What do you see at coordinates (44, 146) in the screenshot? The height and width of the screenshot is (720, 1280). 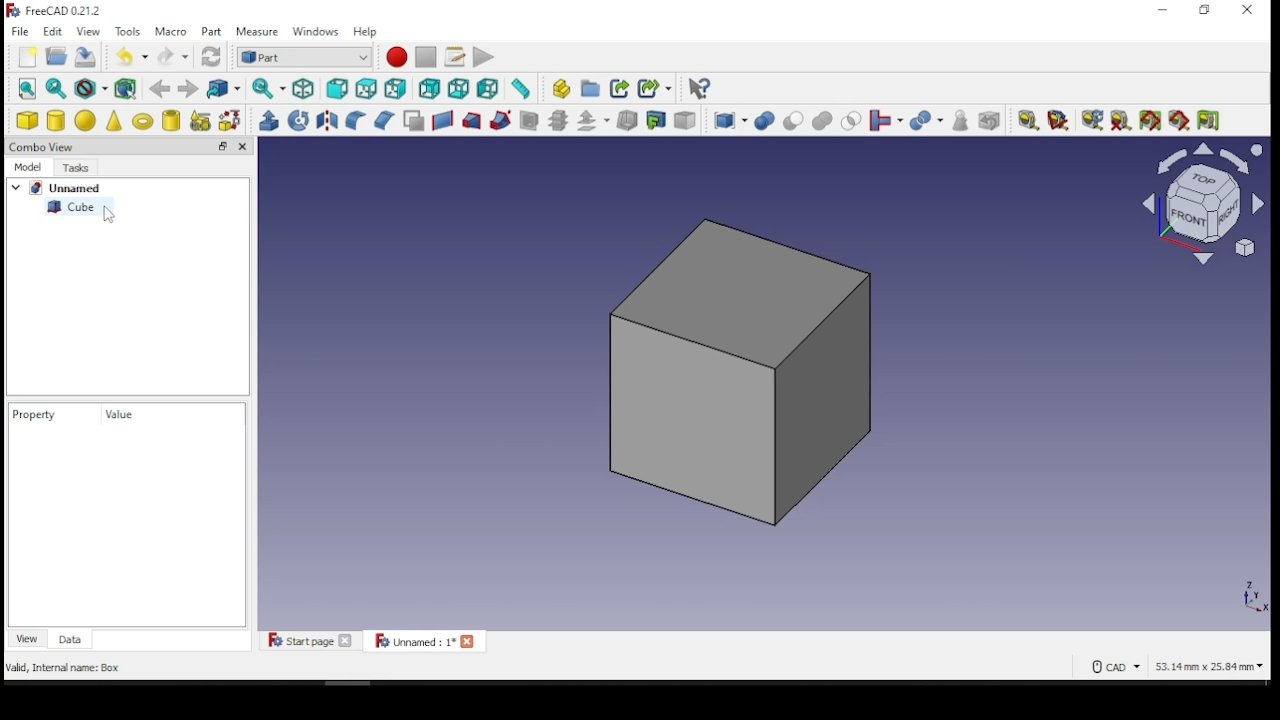 I see `combo view` at bounding box center [44, 146].